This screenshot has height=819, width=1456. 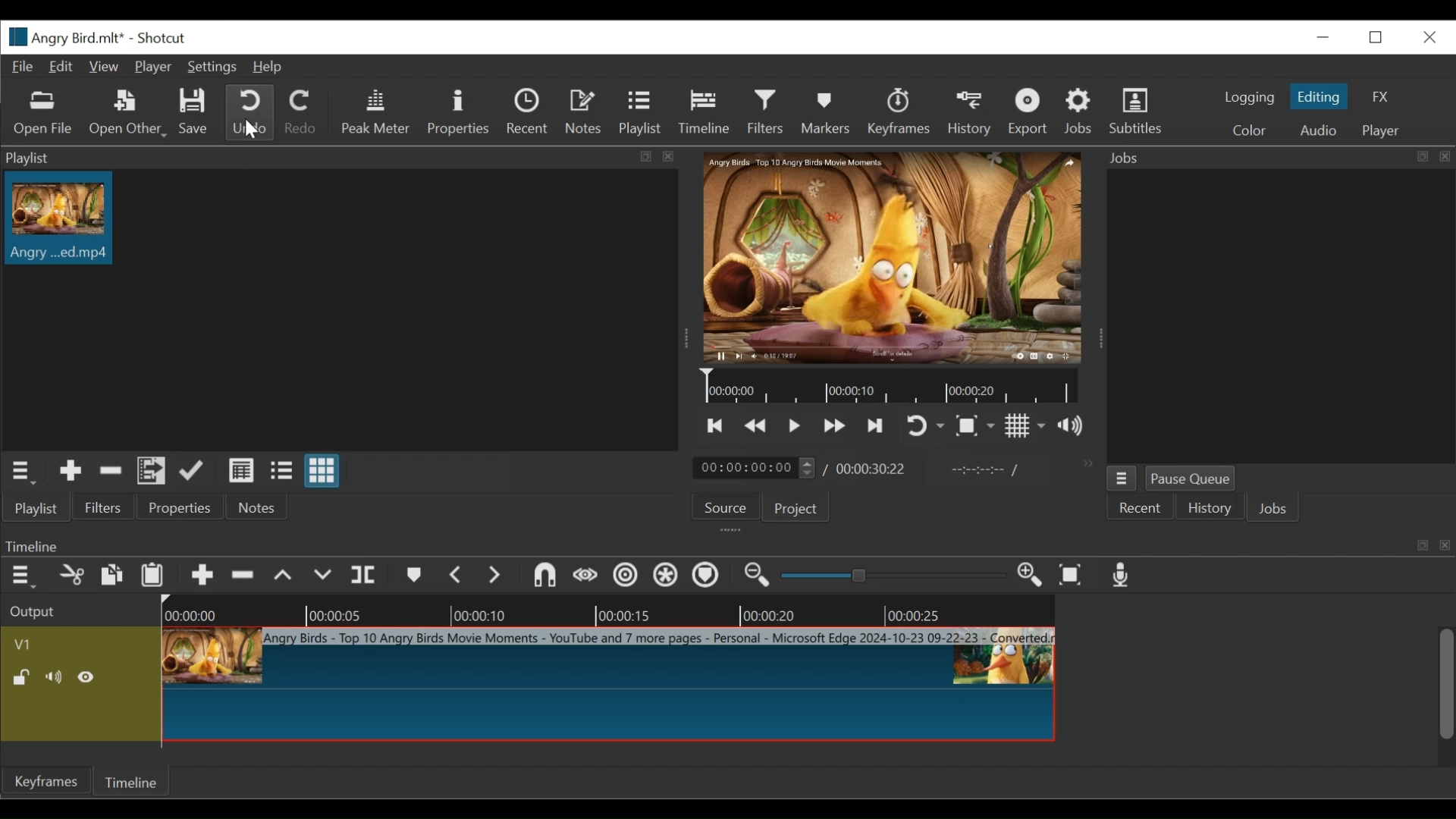 I want to click on Add the Source to the playlist, so click(x=70, y=471).